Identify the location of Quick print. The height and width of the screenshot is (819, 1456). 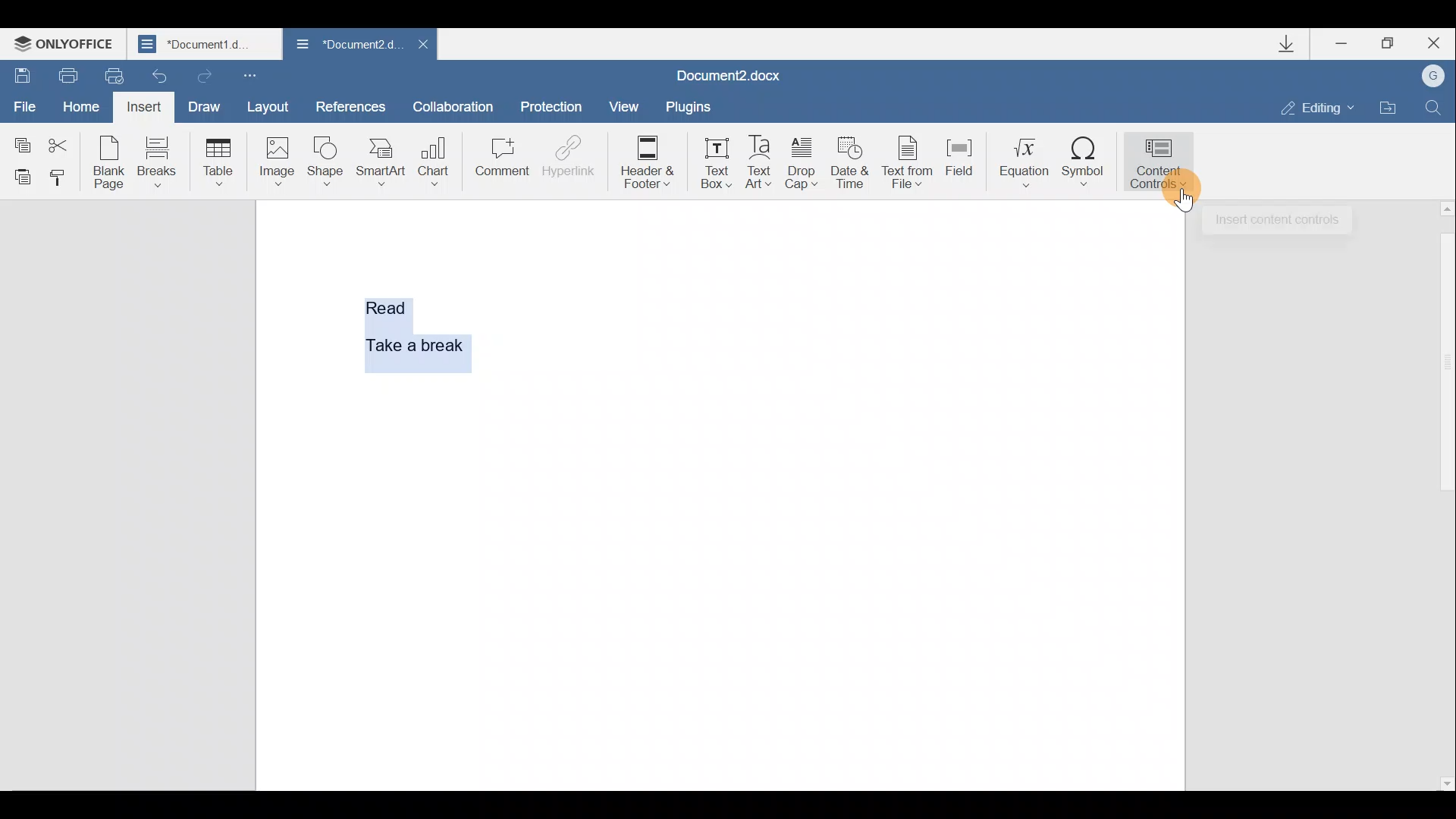
(108, 74).